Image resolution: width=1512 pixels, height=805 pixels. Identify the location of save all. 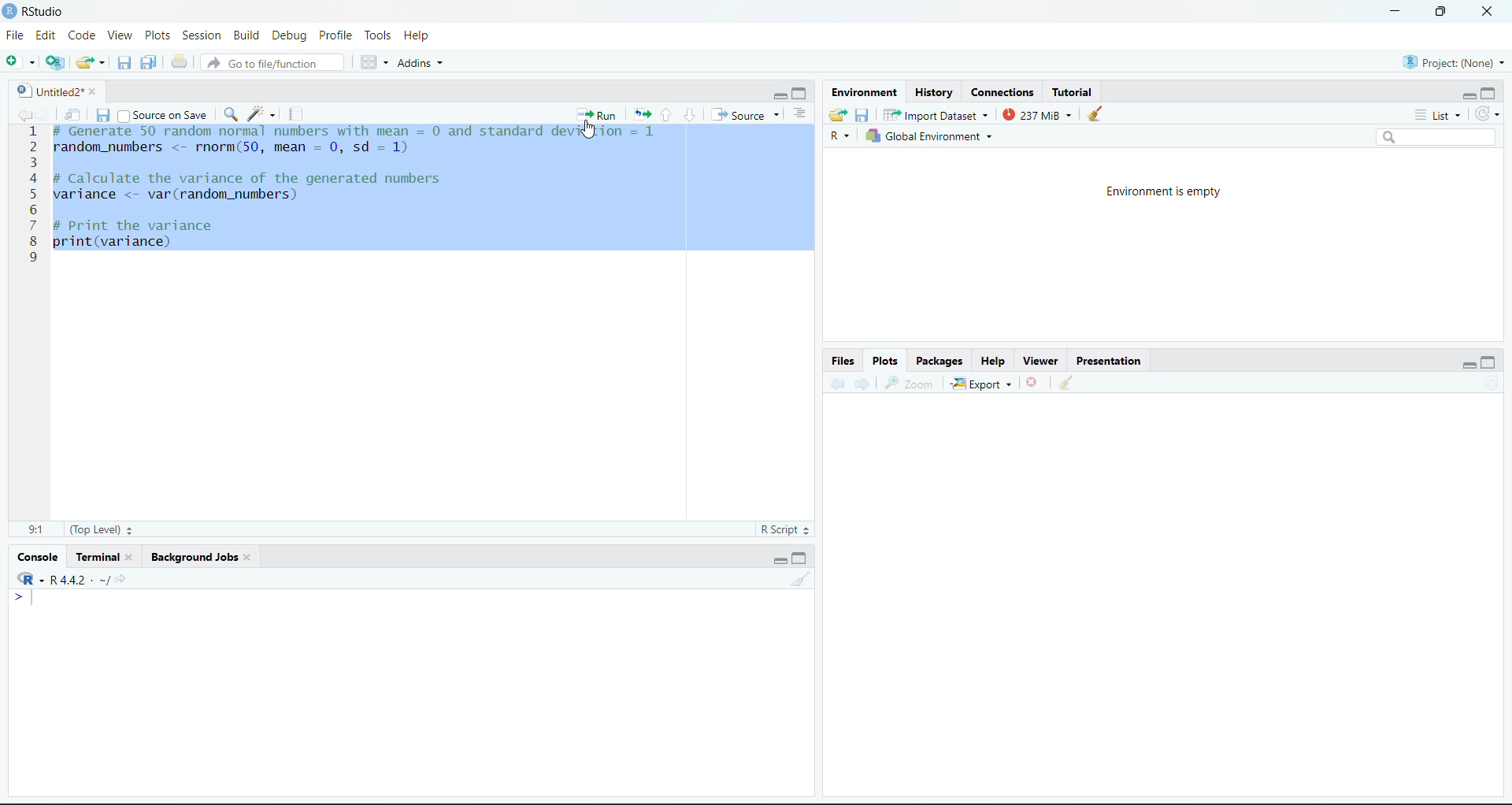
(149, 62).